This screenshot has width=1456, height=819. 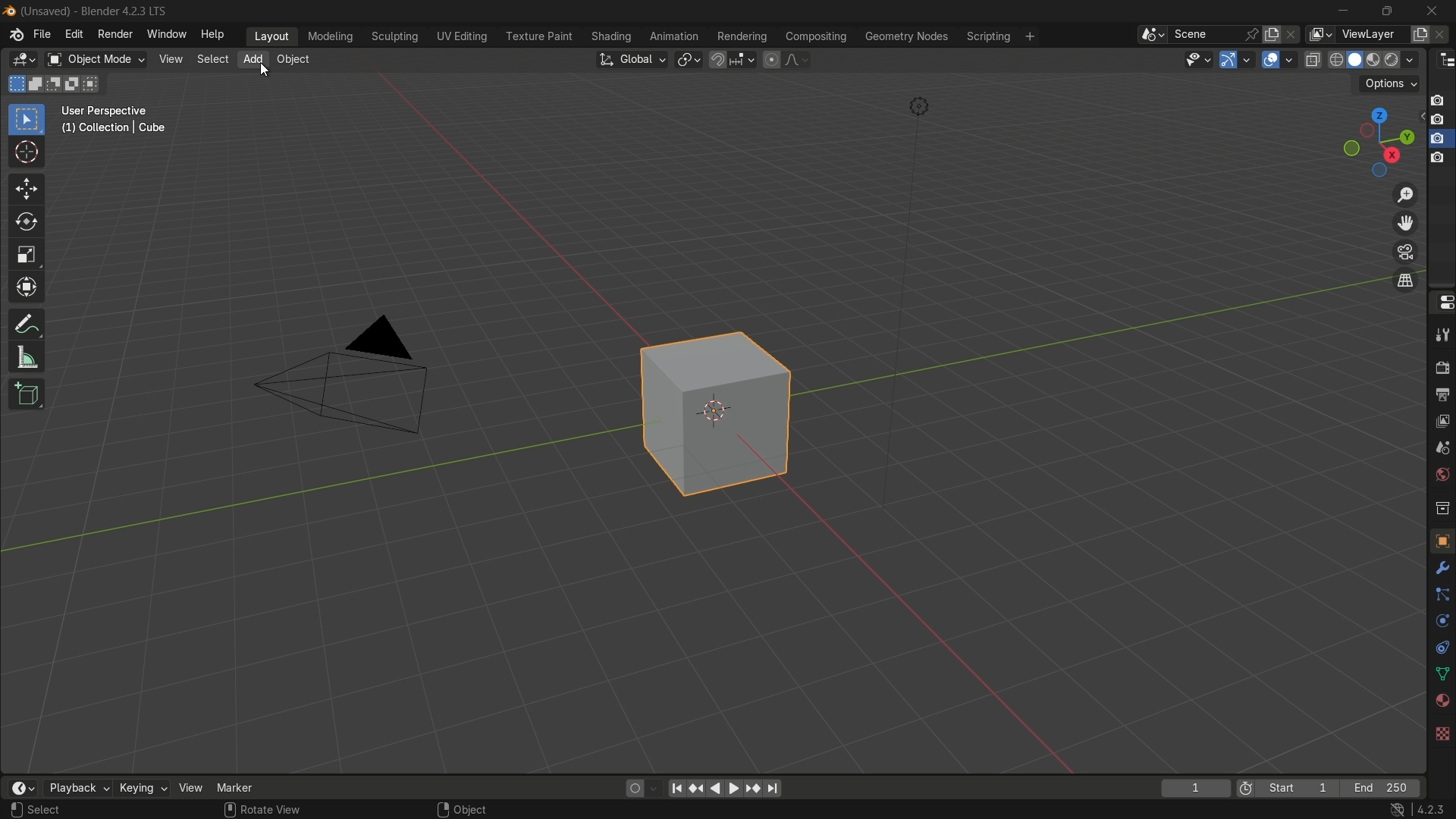 I want to click on render, so click(x=1376, y=61).